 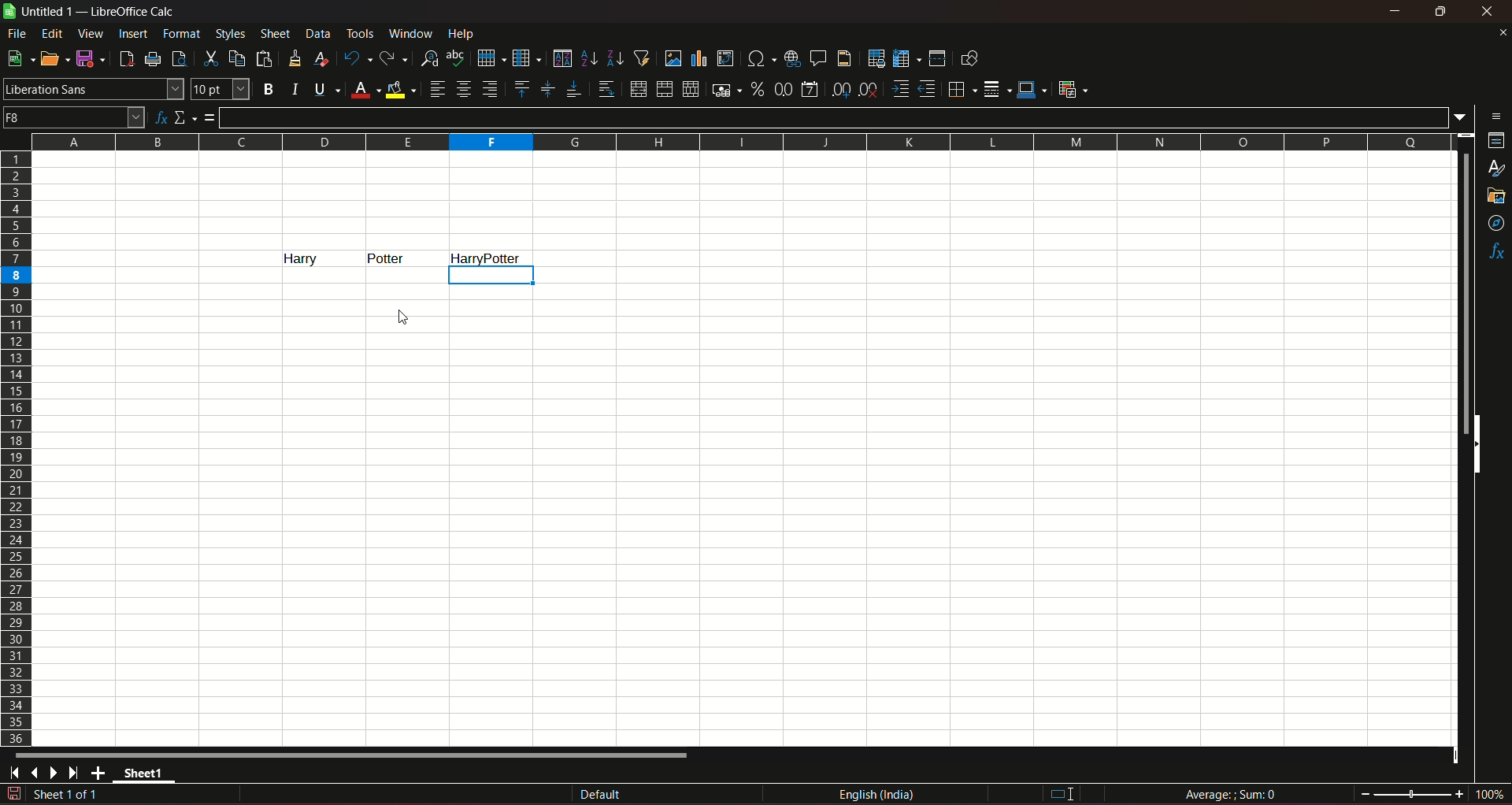 What do you see at coordinates (365, 91) in the screenshot?
I see `font color` at bounding box center [365, 91].